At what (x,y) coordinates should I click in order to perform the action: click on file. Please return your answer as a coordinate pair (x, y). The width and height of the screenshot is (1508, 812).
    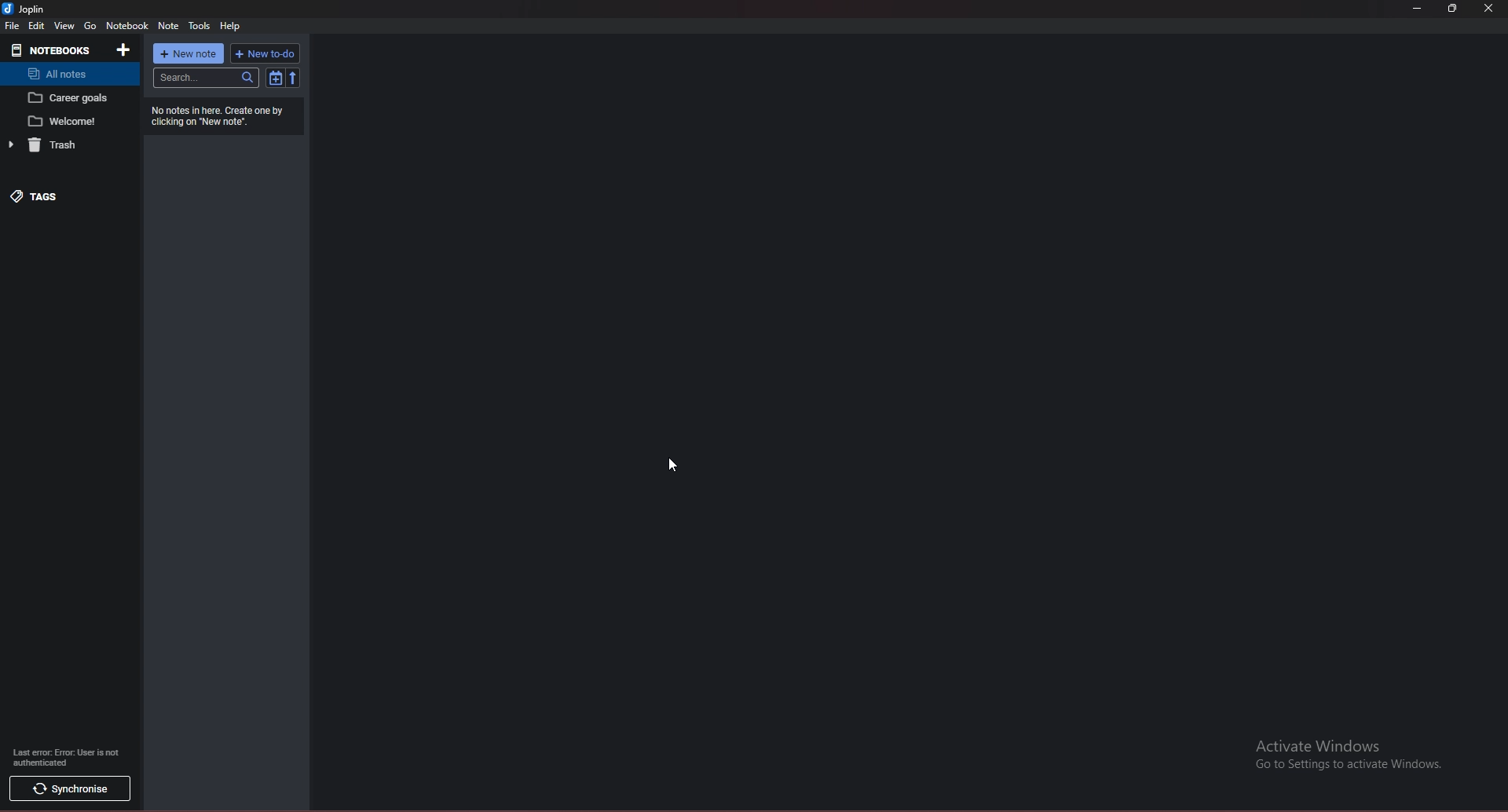
    Looking at the image, I should click on (12, 25).